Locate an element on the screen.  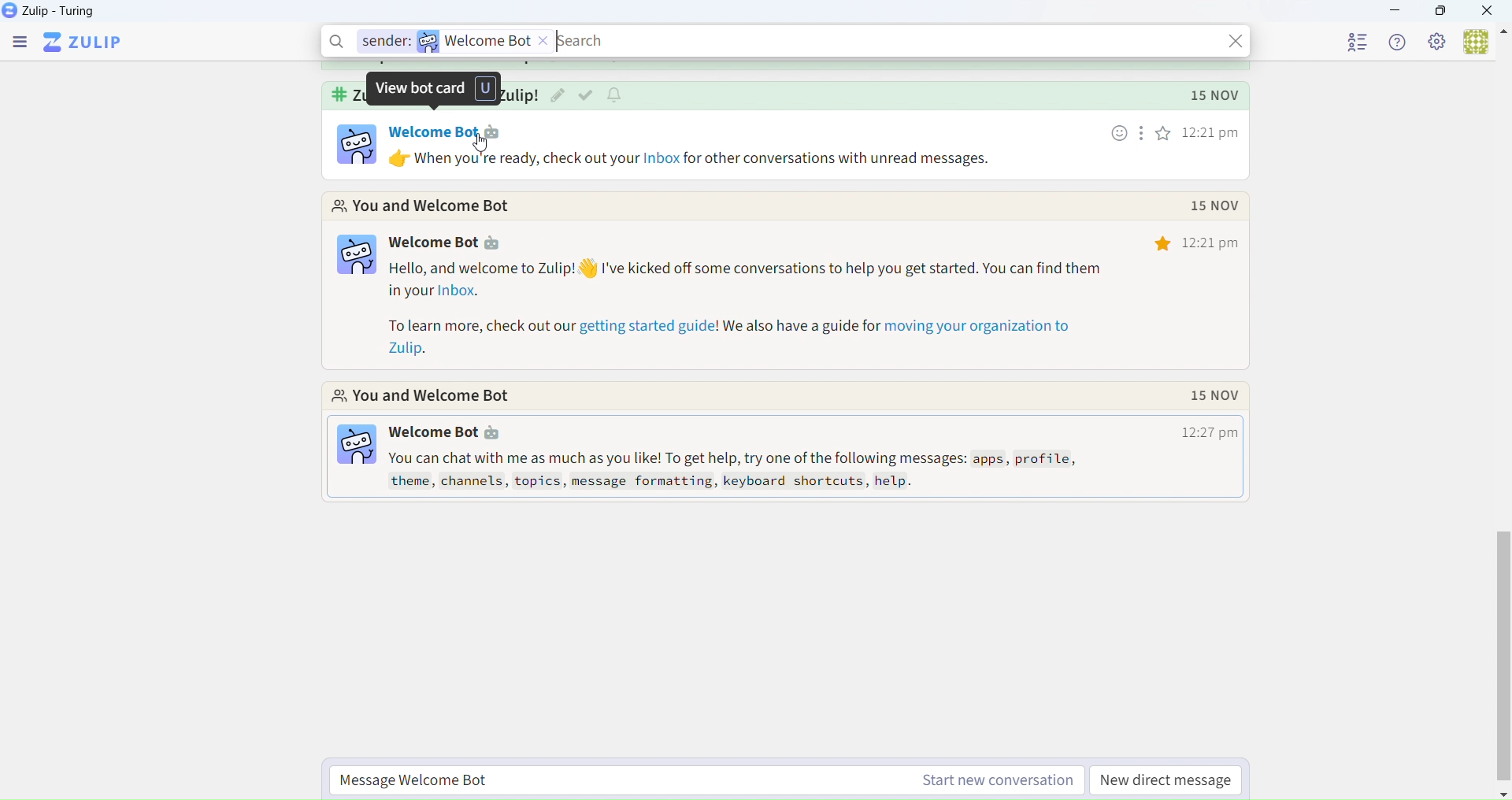
profile pic is located at coordinates (357, 446).